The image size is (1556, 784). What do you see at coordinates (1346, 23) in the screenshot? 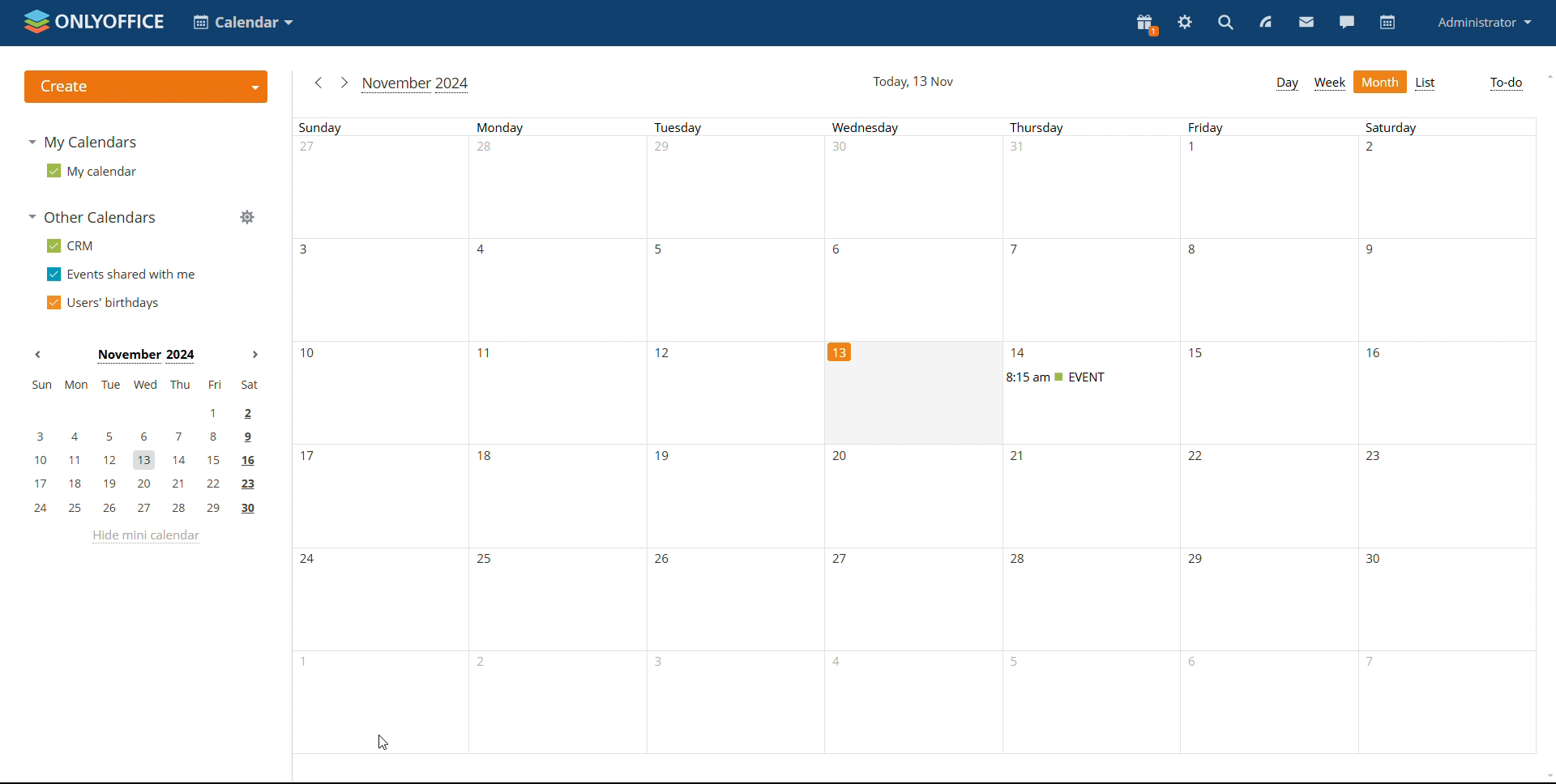
I see `chat` at bounding box center [1346, 23].